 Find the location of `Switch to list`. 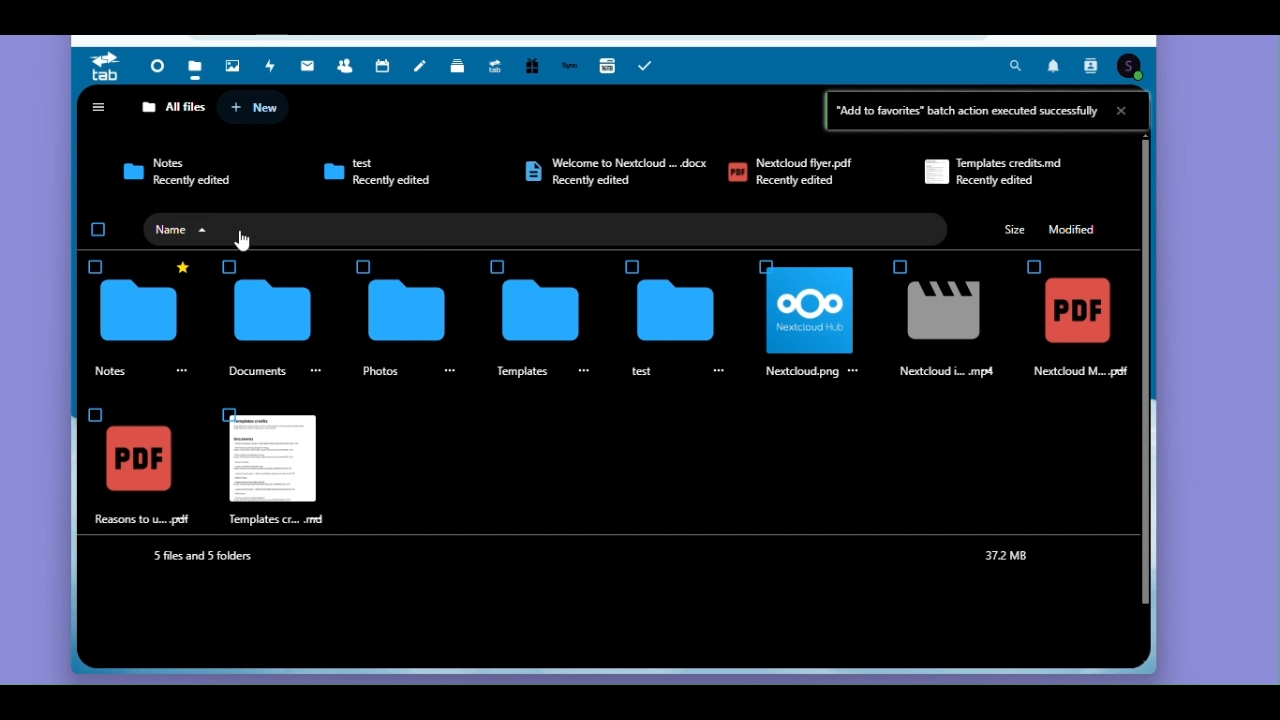

Switch to list is located at coordinates (1126, 106).